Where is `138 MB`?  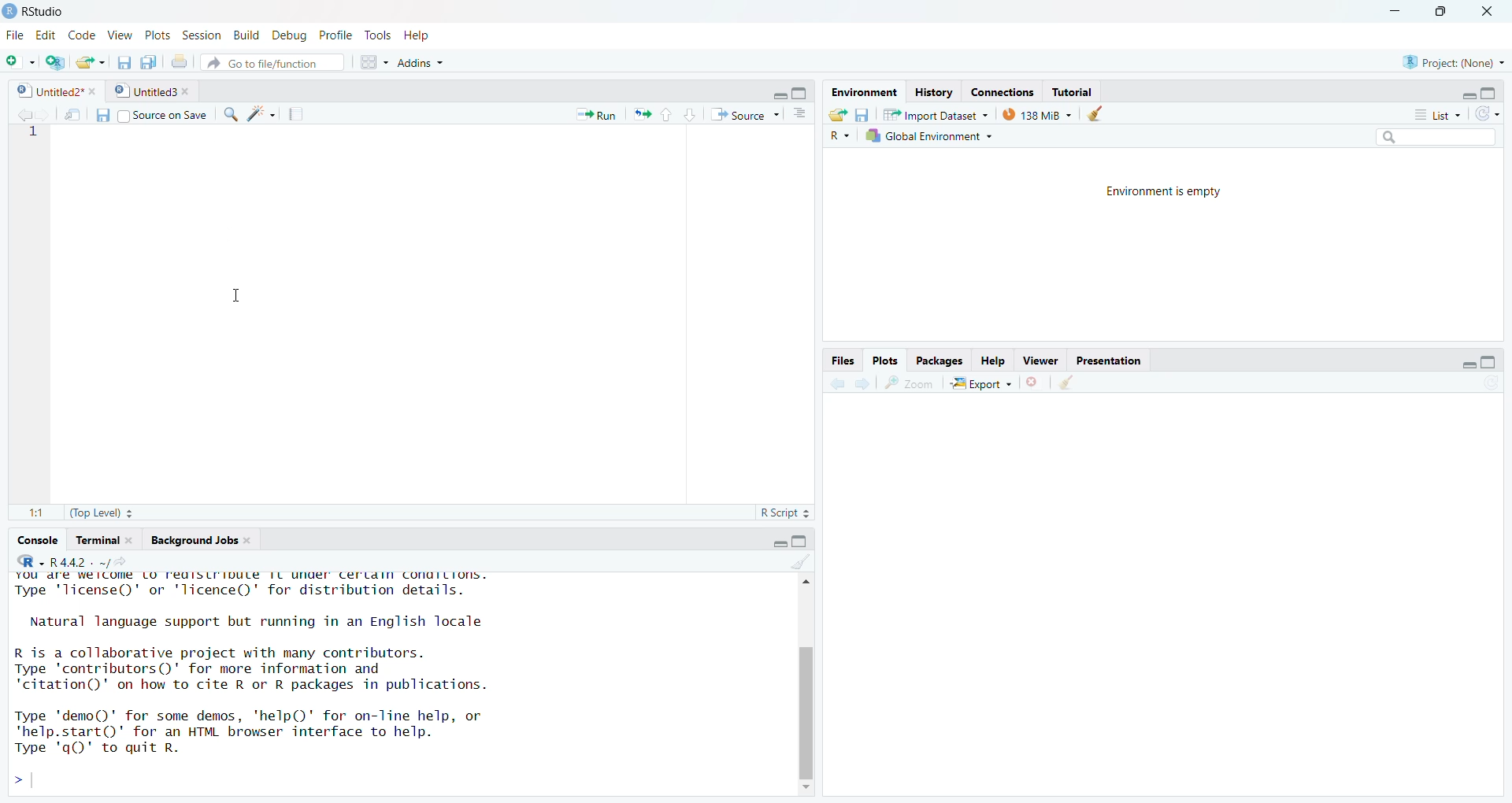
138 MB is located at coordinates (1034, 113).